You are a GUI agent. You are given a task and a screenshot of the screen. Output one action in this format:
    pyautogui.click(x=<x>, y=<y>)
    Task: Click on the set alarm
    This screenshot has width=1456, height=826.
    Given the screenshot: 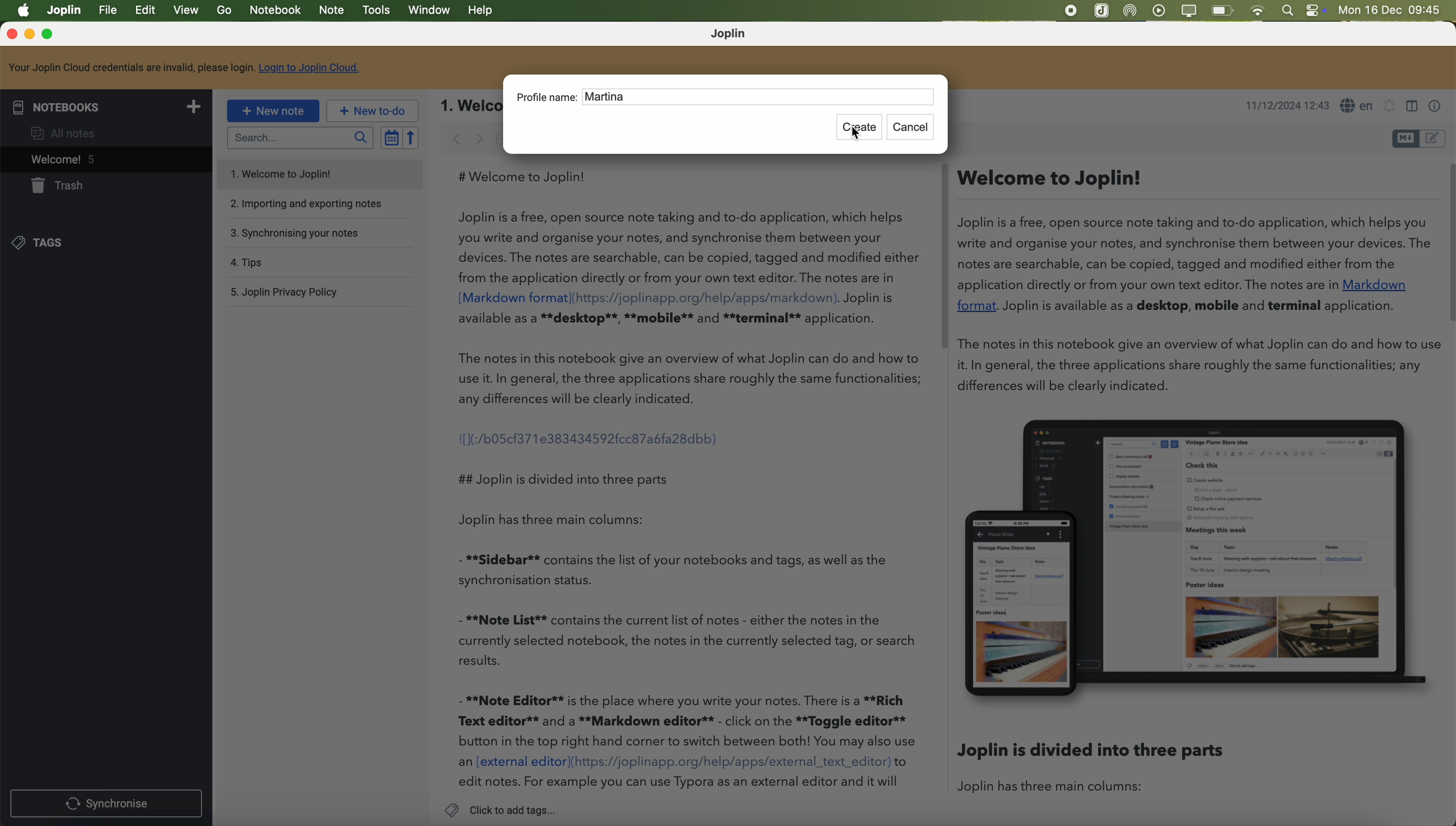 What is the action you would take?
    pyautogui.click(x=1390, y=108)
    